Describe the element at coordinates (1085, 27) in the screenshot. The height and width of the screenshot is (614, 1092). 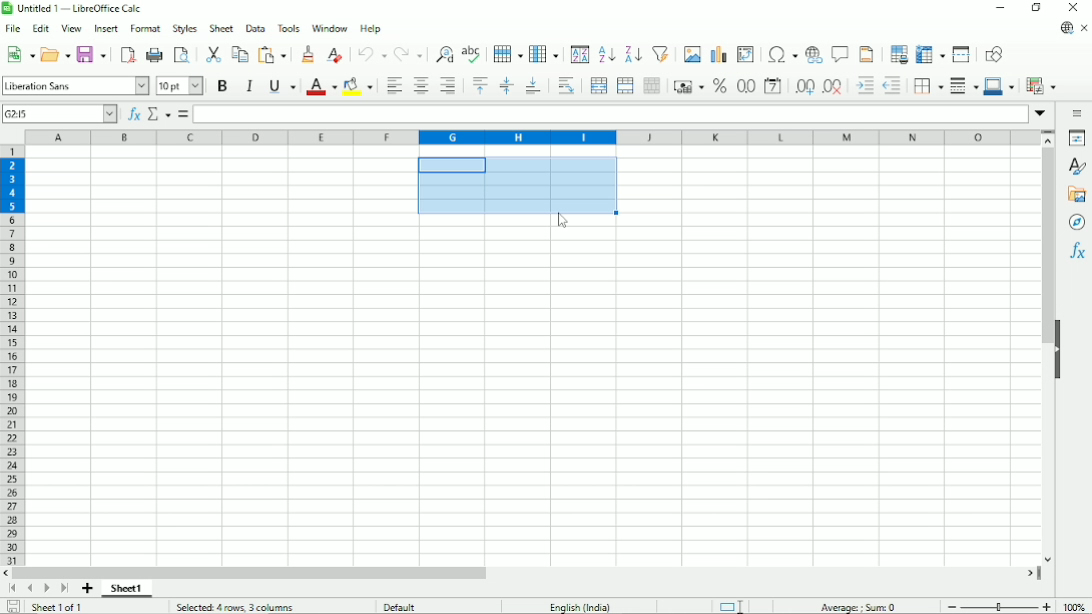
I see `Close document` at that location.